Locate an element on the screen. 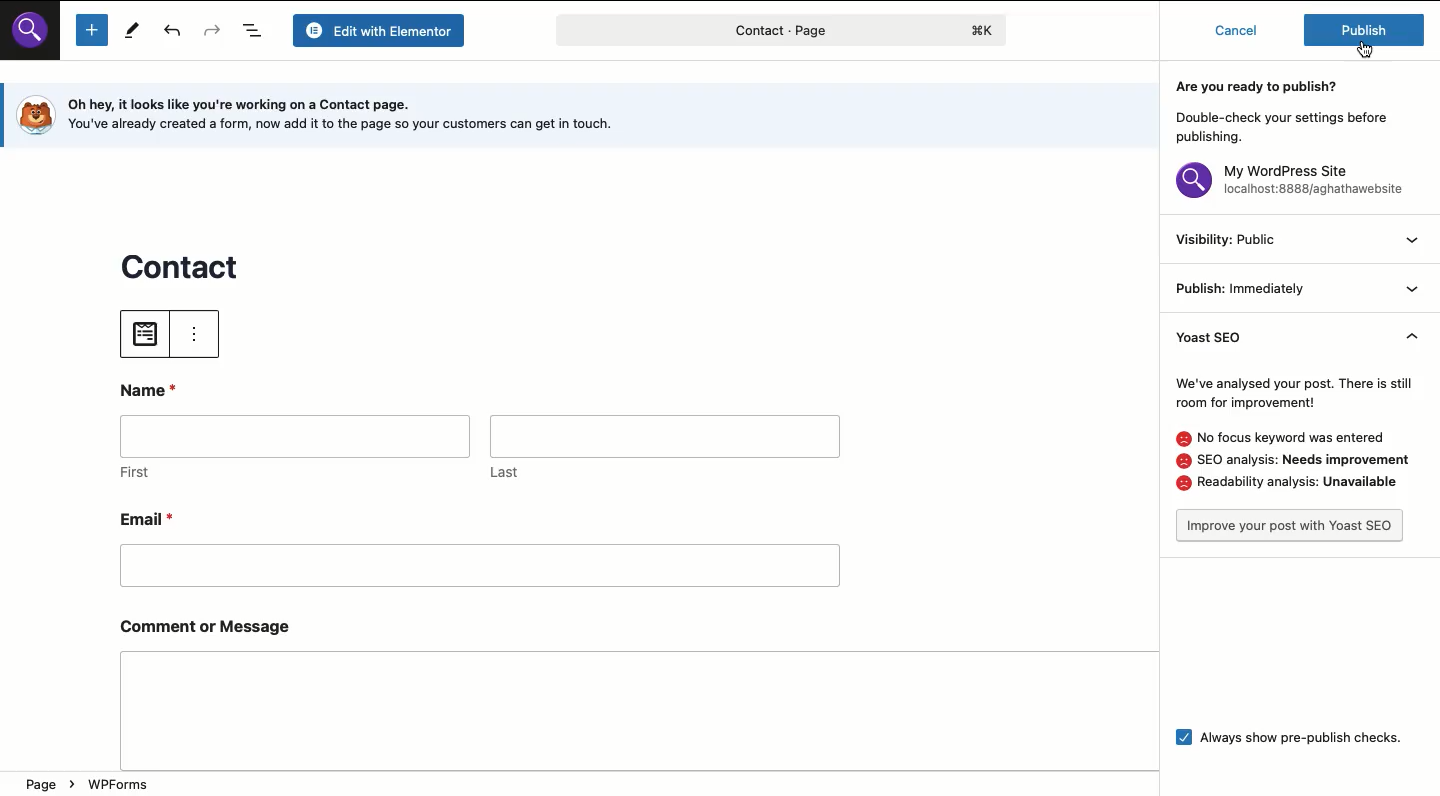 This screenshot has height=796, width=1440. Comment or message is located at coordinates (618, 703).